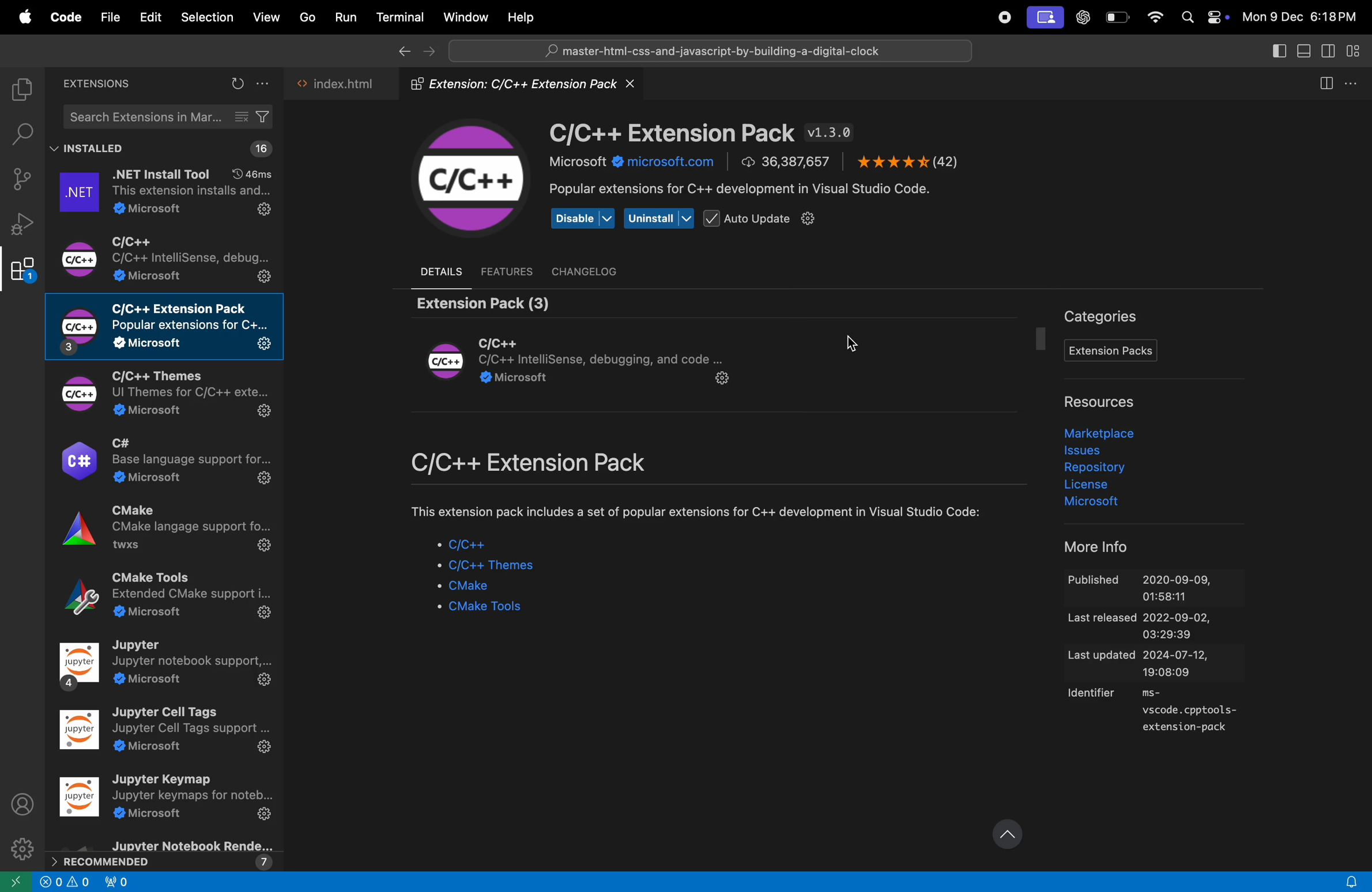 Image resolution: width=1372 pixels, height=892 pixels. What do you see at coordinates (630, 165) in the screenshot?
I see `microsoft.com` at bounding box center [630, 165].